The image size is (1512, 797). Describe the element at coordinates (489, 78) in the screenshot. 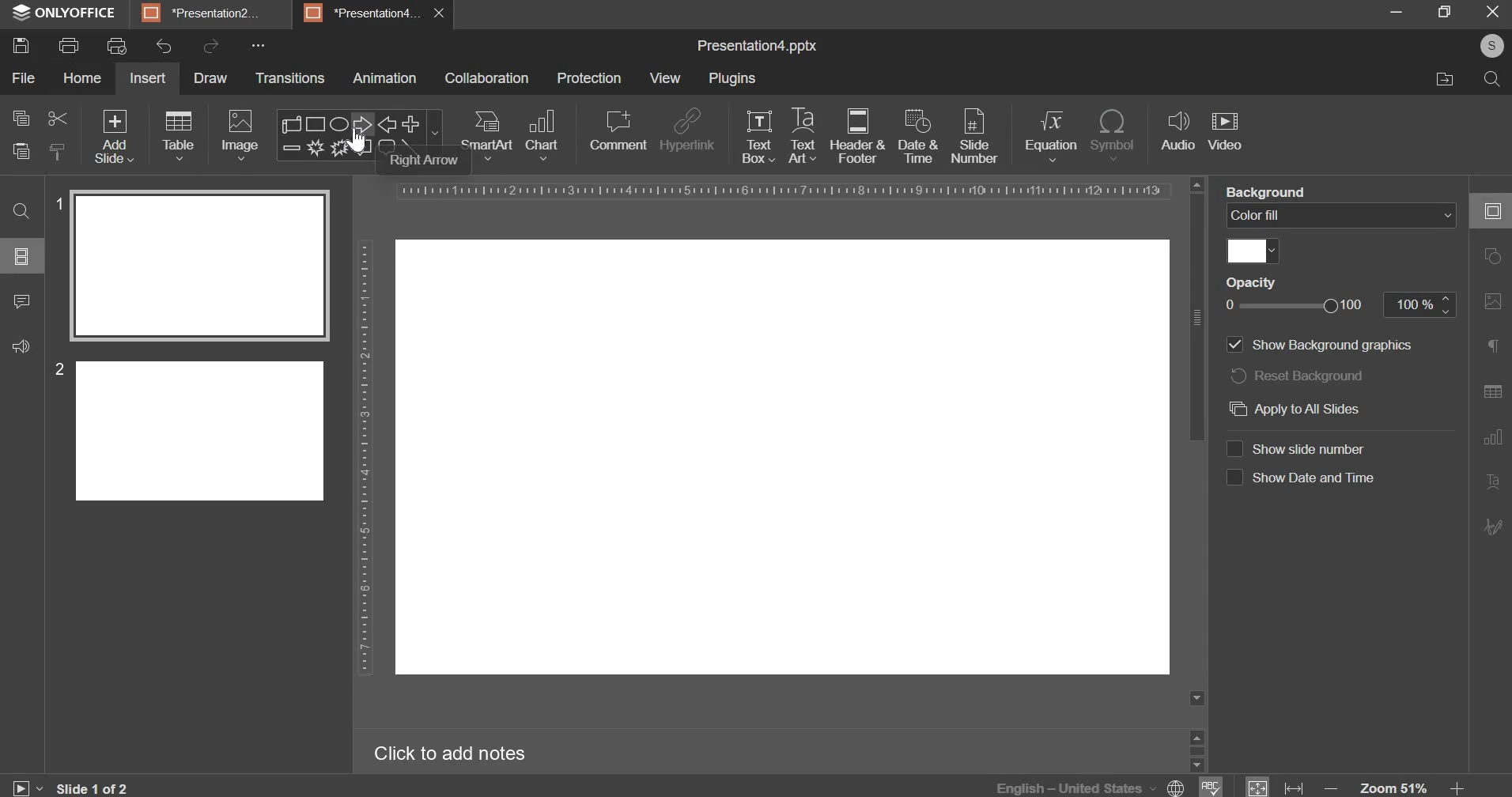

I see `collaboration` at that location.